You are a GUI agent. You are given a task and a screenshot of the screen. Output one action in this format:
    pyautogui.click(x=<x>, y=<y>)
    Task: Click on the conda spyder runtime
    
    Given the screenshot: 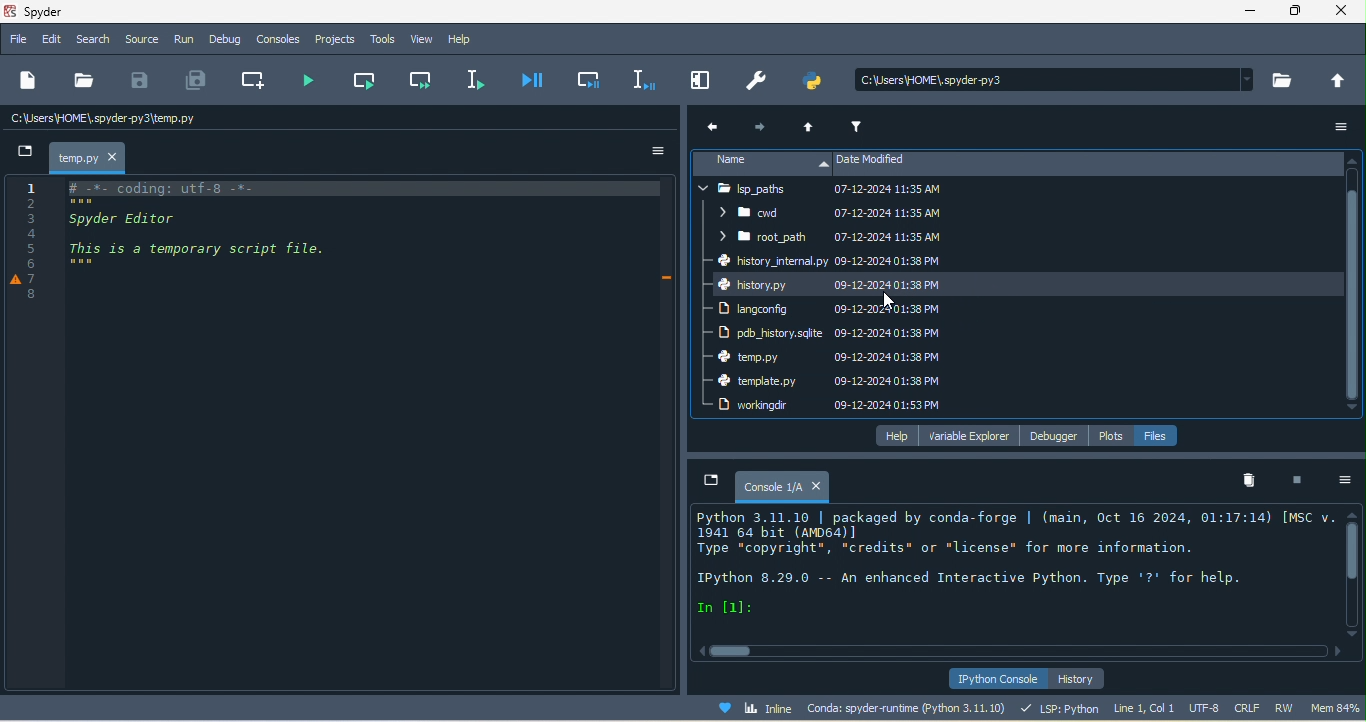 What is the action you would take?
    pyautogui.click(x=857, y=708)
    